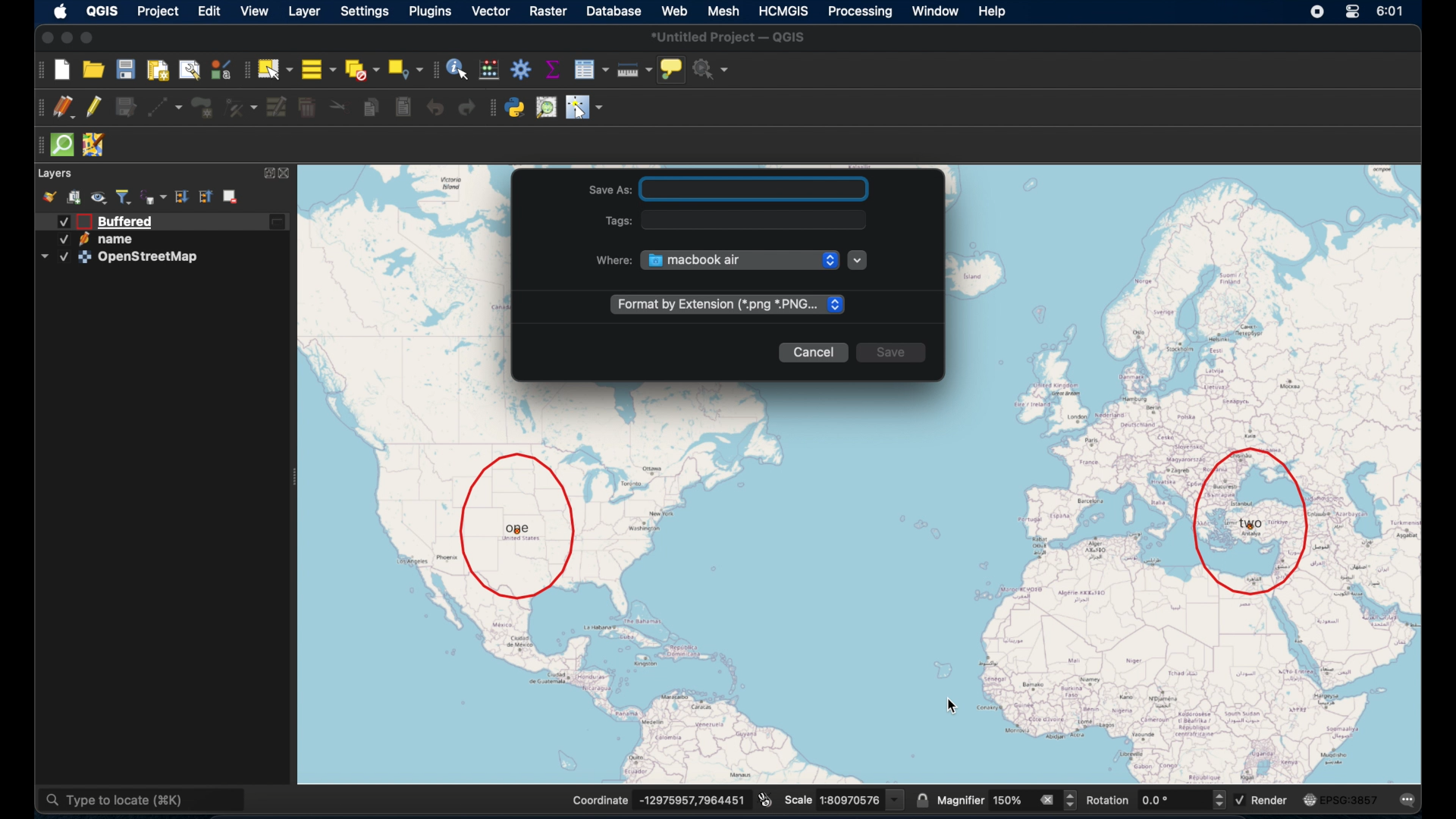  What do you see at coordinates (786, 11) in the screenshot?
I see `HCMGIS` at bounding box center [786, 11].